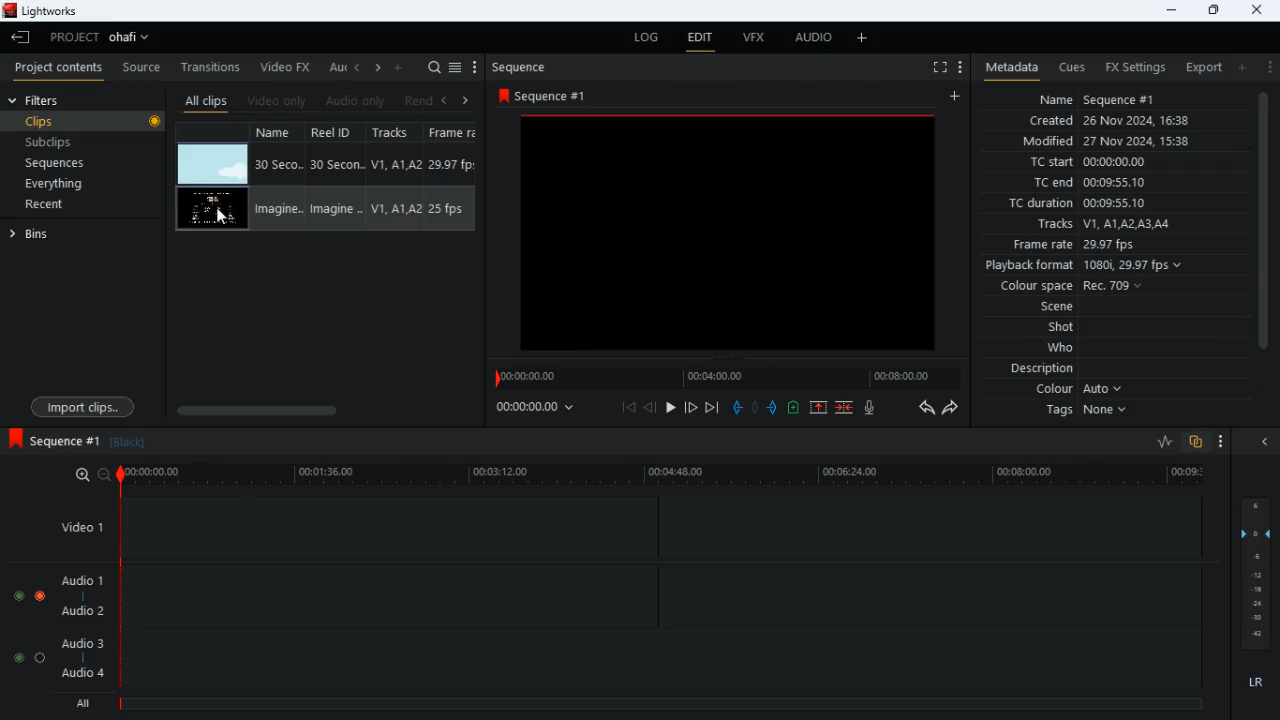  Describe the element at coordinates (338, 66) in the screenshot. I see `au` at that location.